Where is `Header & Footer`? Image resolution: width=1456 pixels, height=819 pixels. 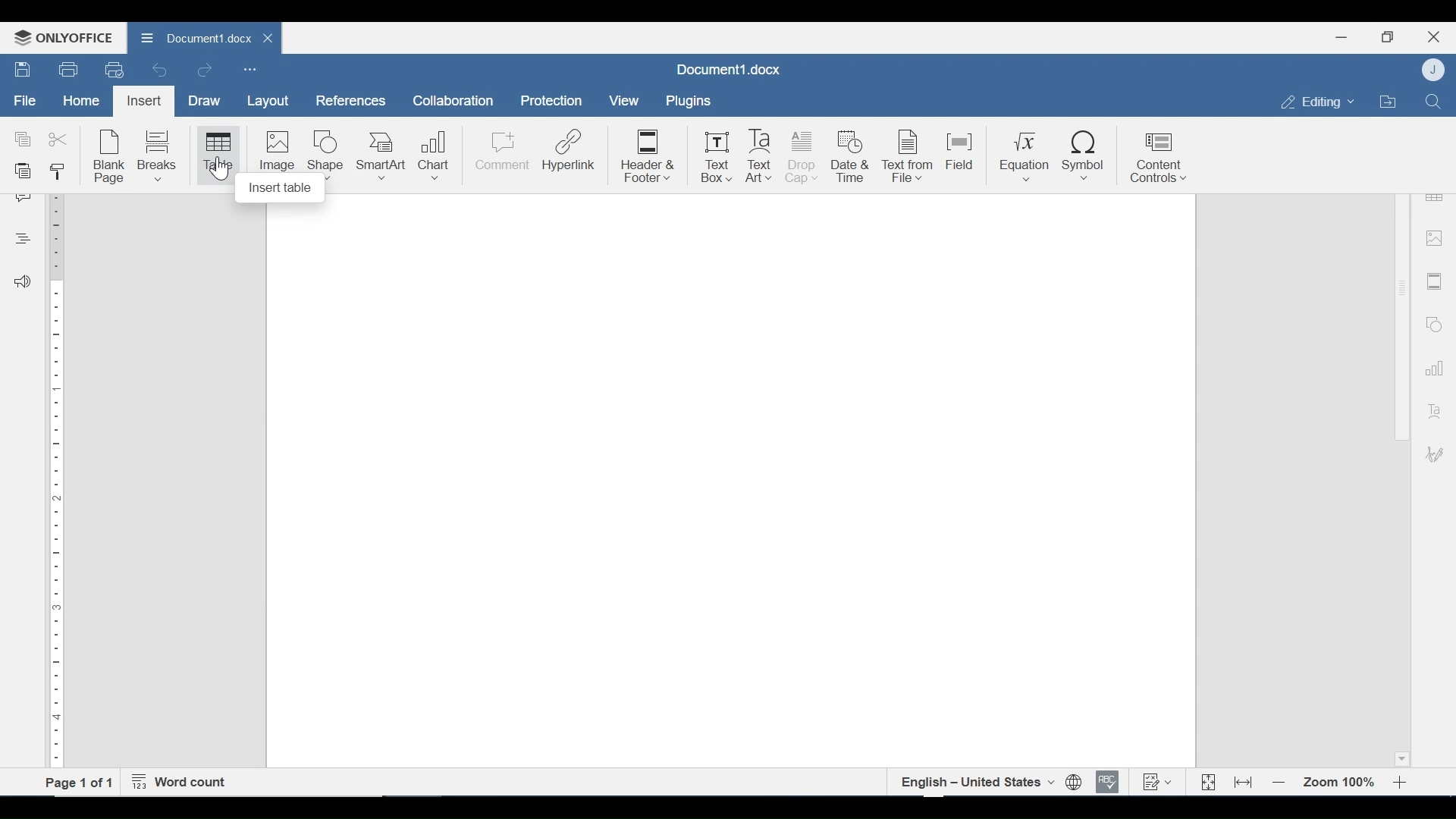
Header & Footer is located at coordinates (648, 158).